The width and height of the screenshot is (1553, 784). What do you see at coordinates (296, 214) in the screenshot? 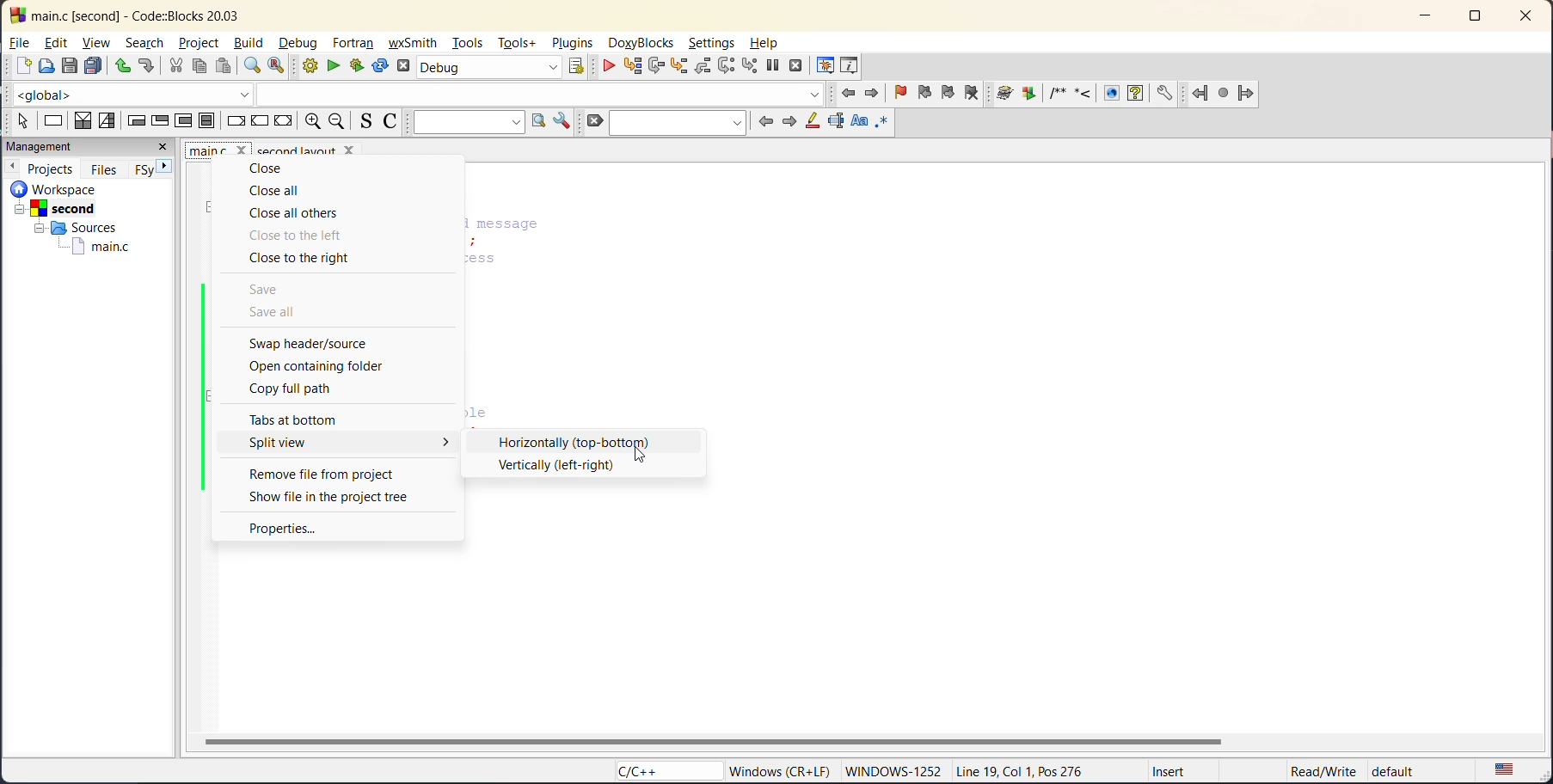
I see `close all others` at bounding box center [296, 214].